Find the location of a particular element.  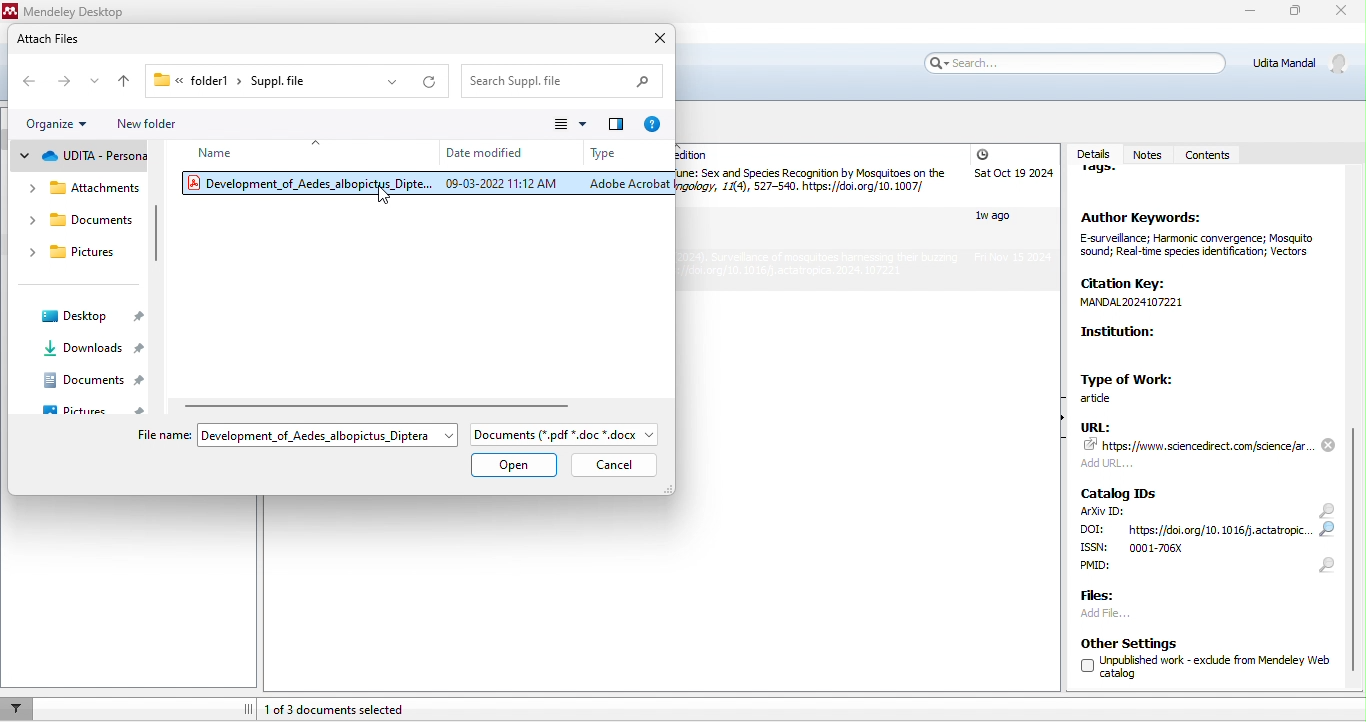

search bar is located at coordinates (1072, 62).